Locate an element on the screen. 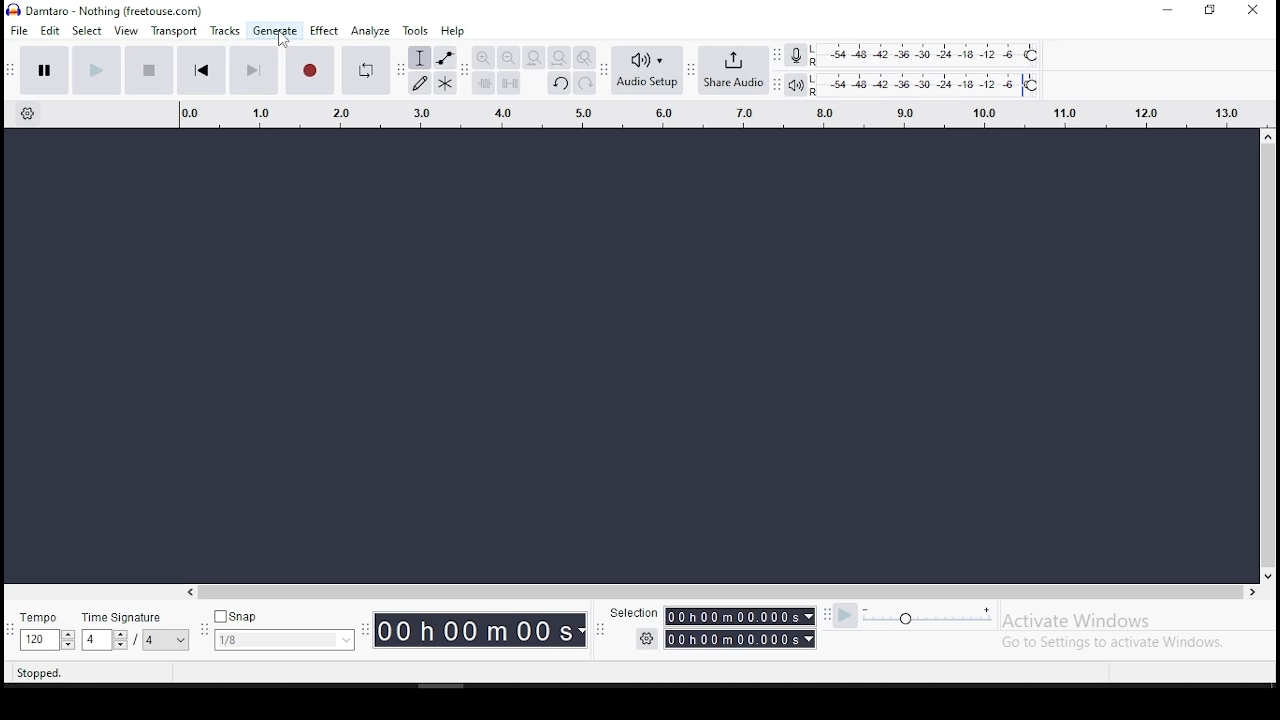 This screenshot has width=1280, height=720. zoom in is located at coordinates (482, 58).